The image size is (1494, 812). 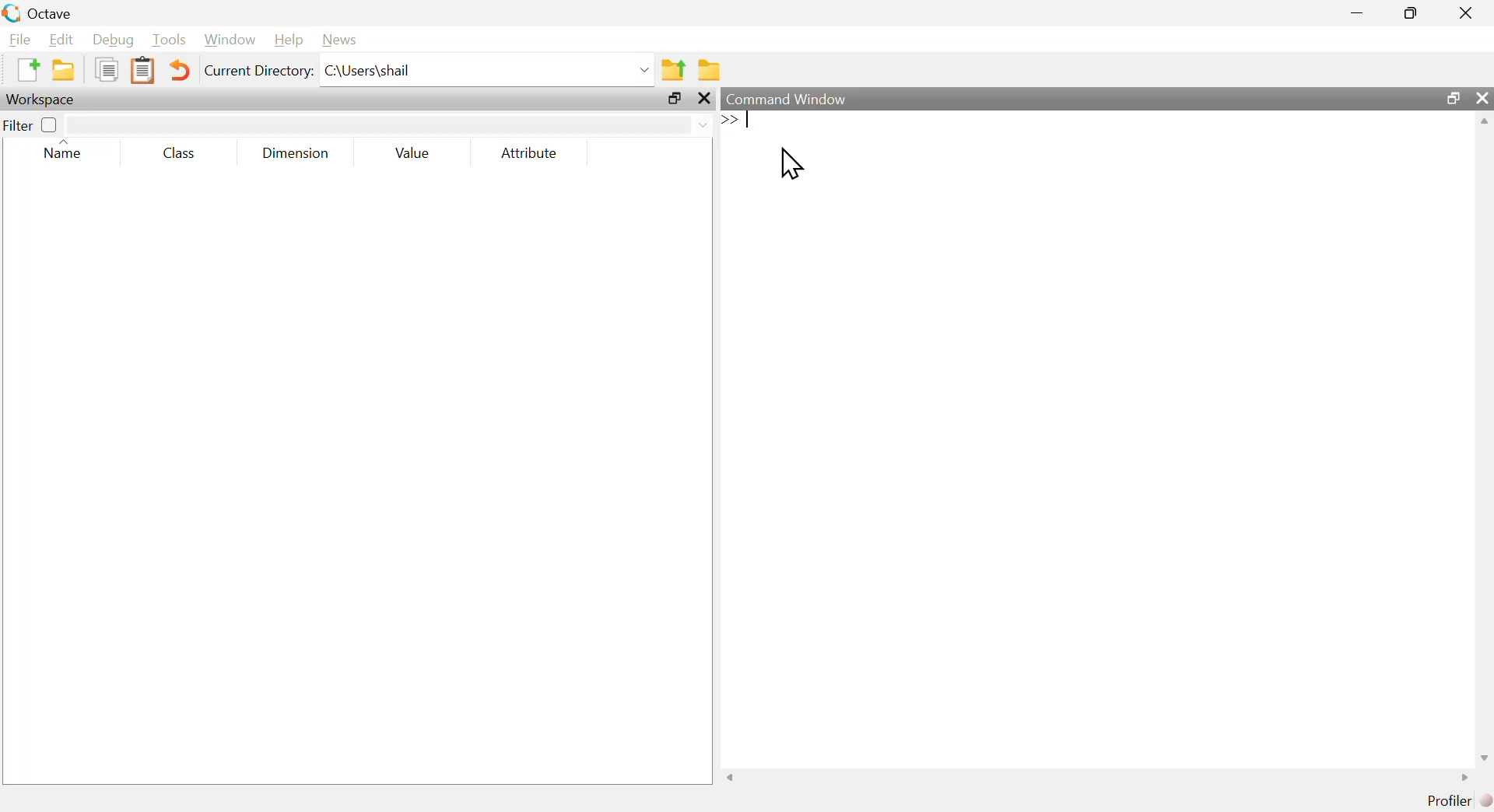 I want to click on close, so click(x=1485, y=97).